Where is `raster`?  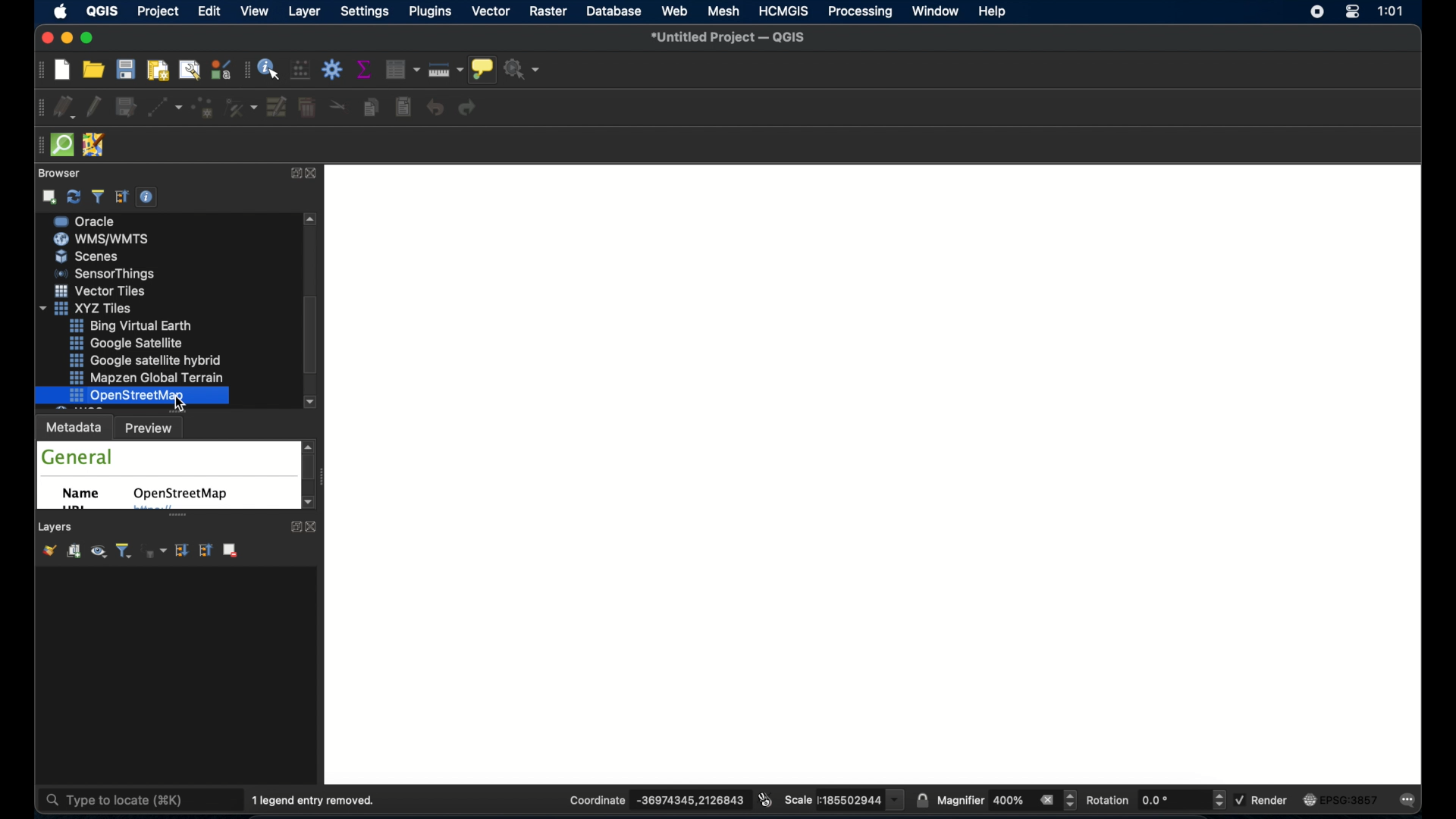
raster is located at coordinates (548, 11).